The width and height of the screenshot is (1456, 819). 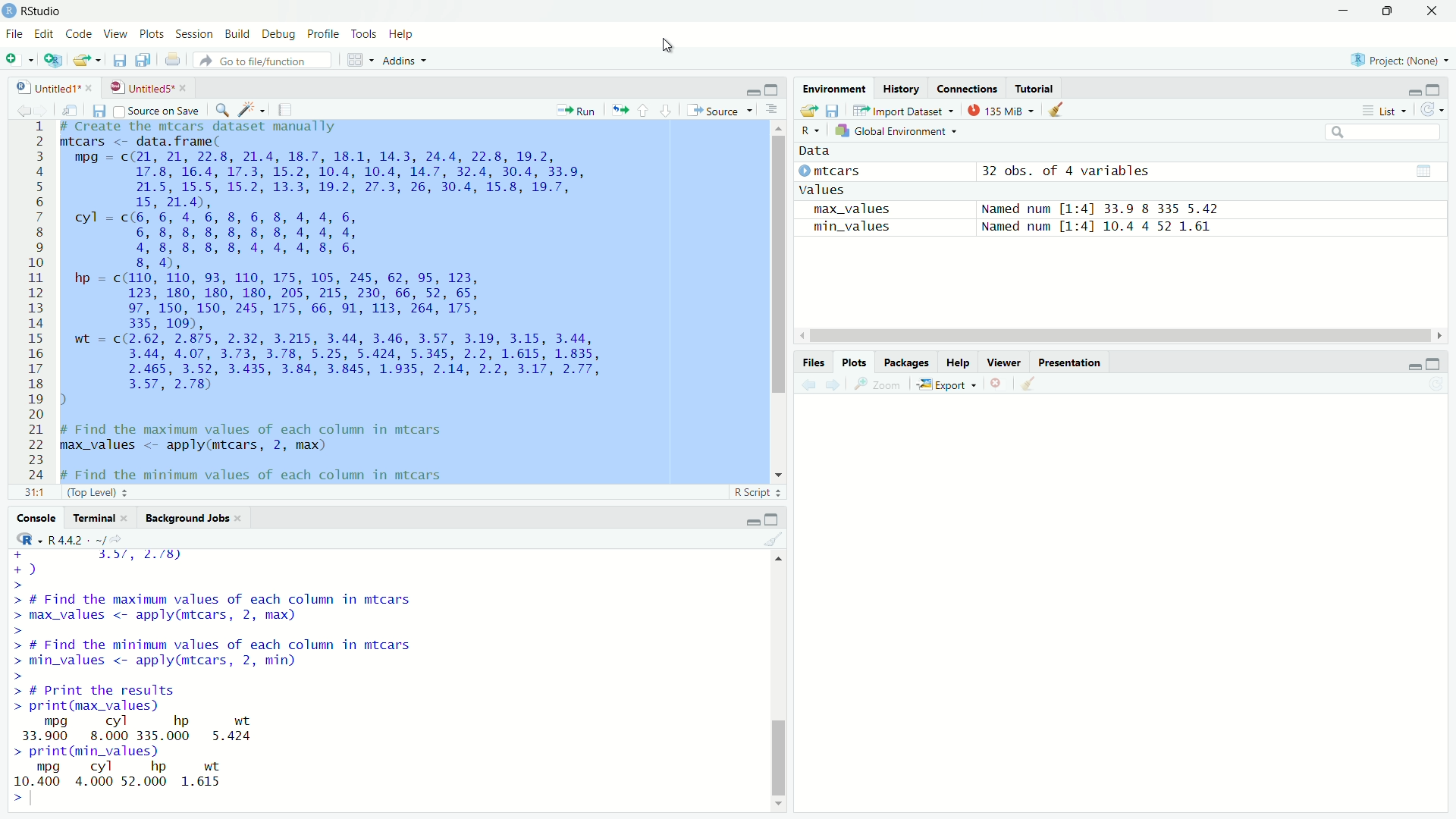 What do you see at coordinates (223, 111) in the screenshot?
I see `search` at bounding box center [223, 111].